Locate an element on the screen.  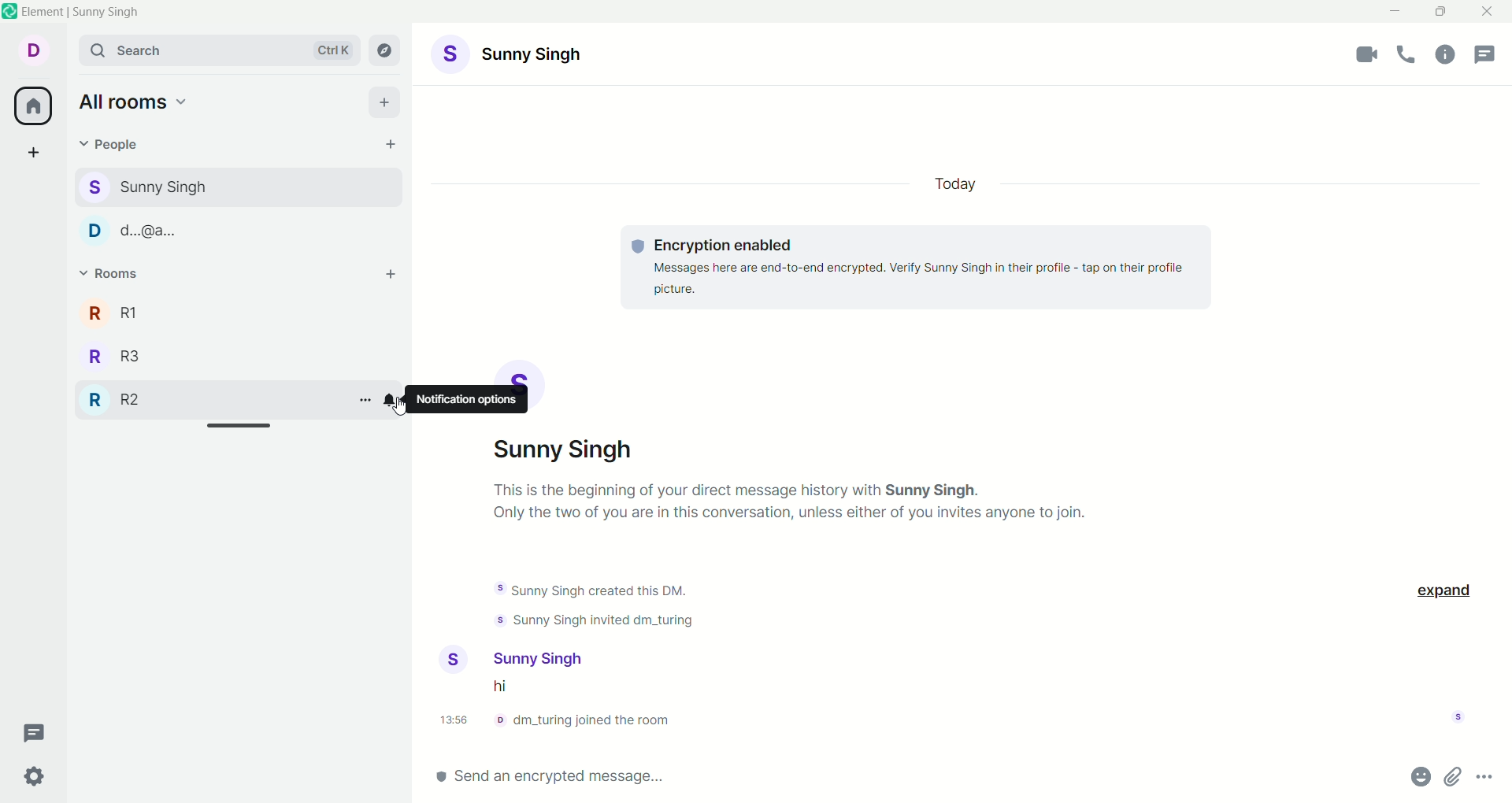
time is located at coordinates (458, 721).